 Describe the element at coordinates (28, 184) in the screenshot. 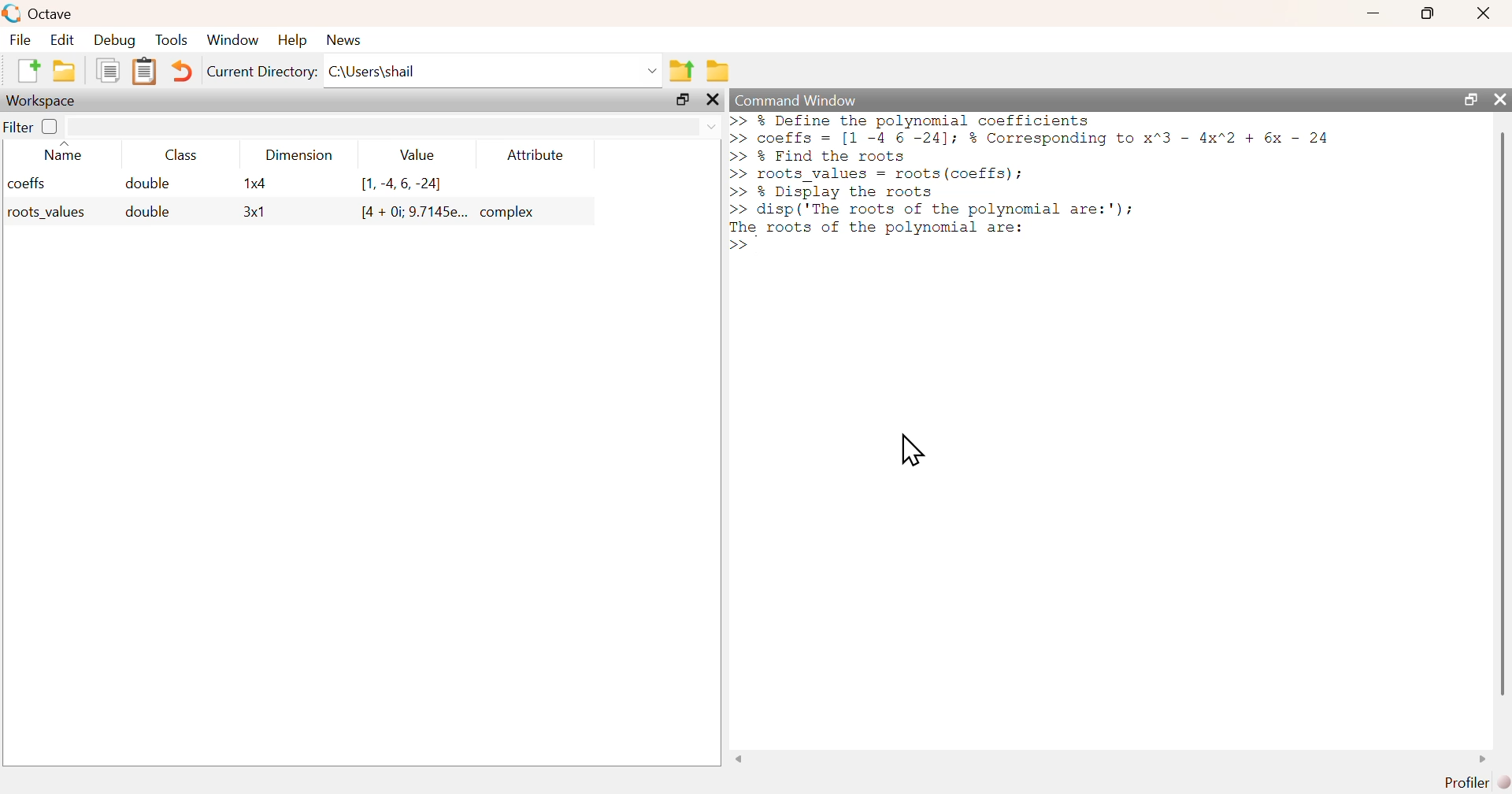

I see `coeffs` at that location.